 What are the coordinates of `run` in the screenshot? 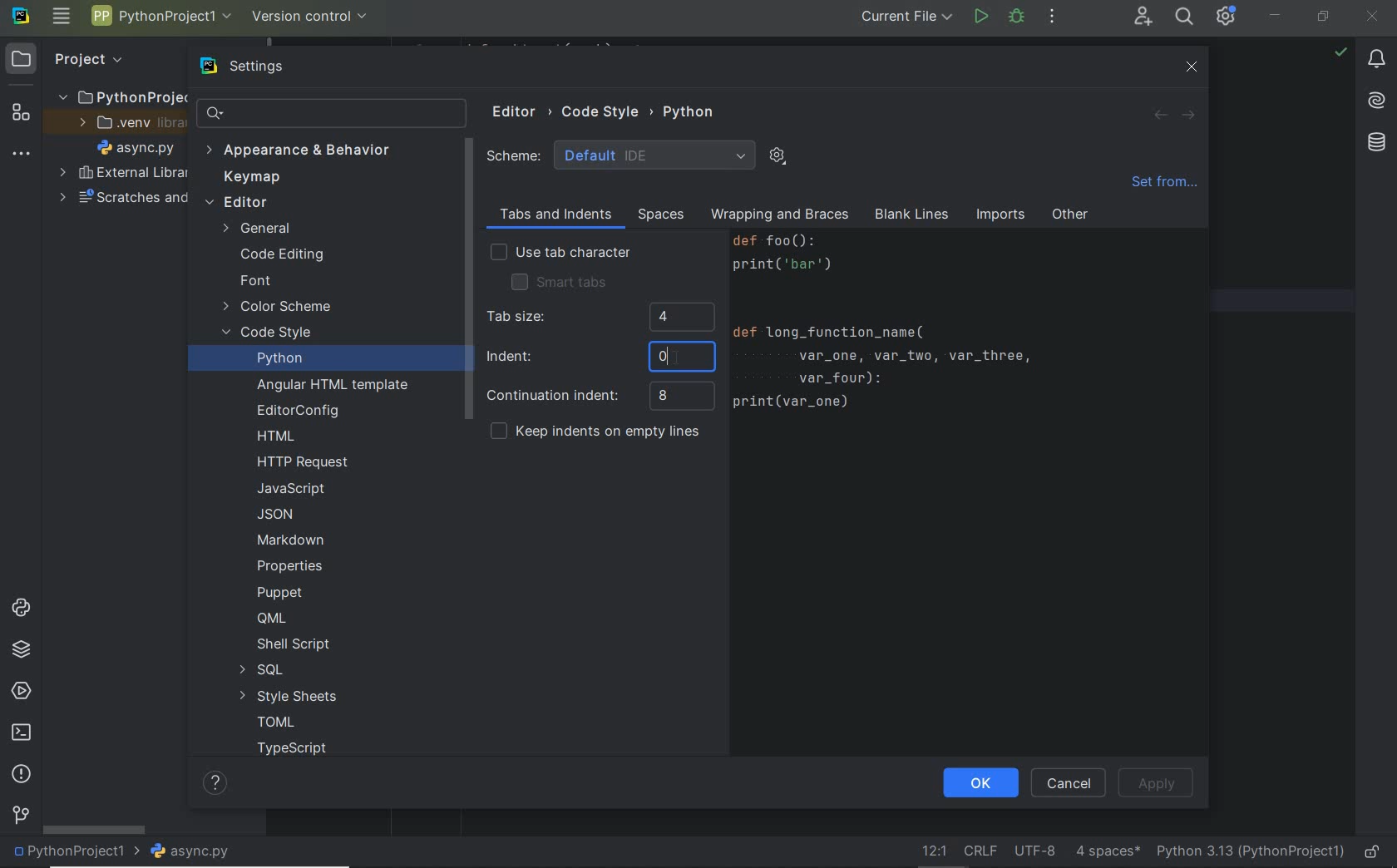 It's located at (980, 18).